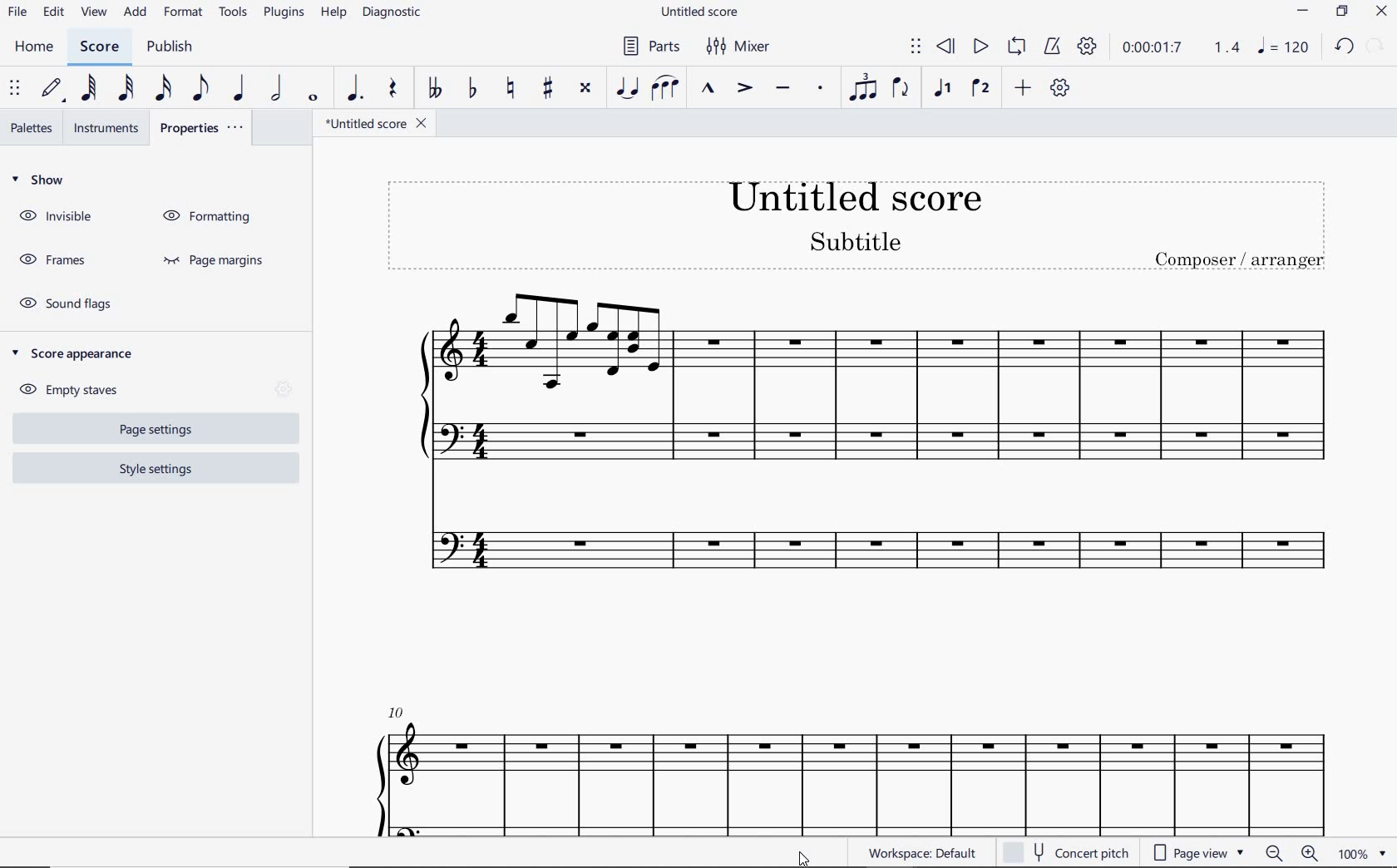  What do you see at coordinates (150, 430) in the screenshot?
I see `PAGE SETTINGS` at bounding box center [150, 430].